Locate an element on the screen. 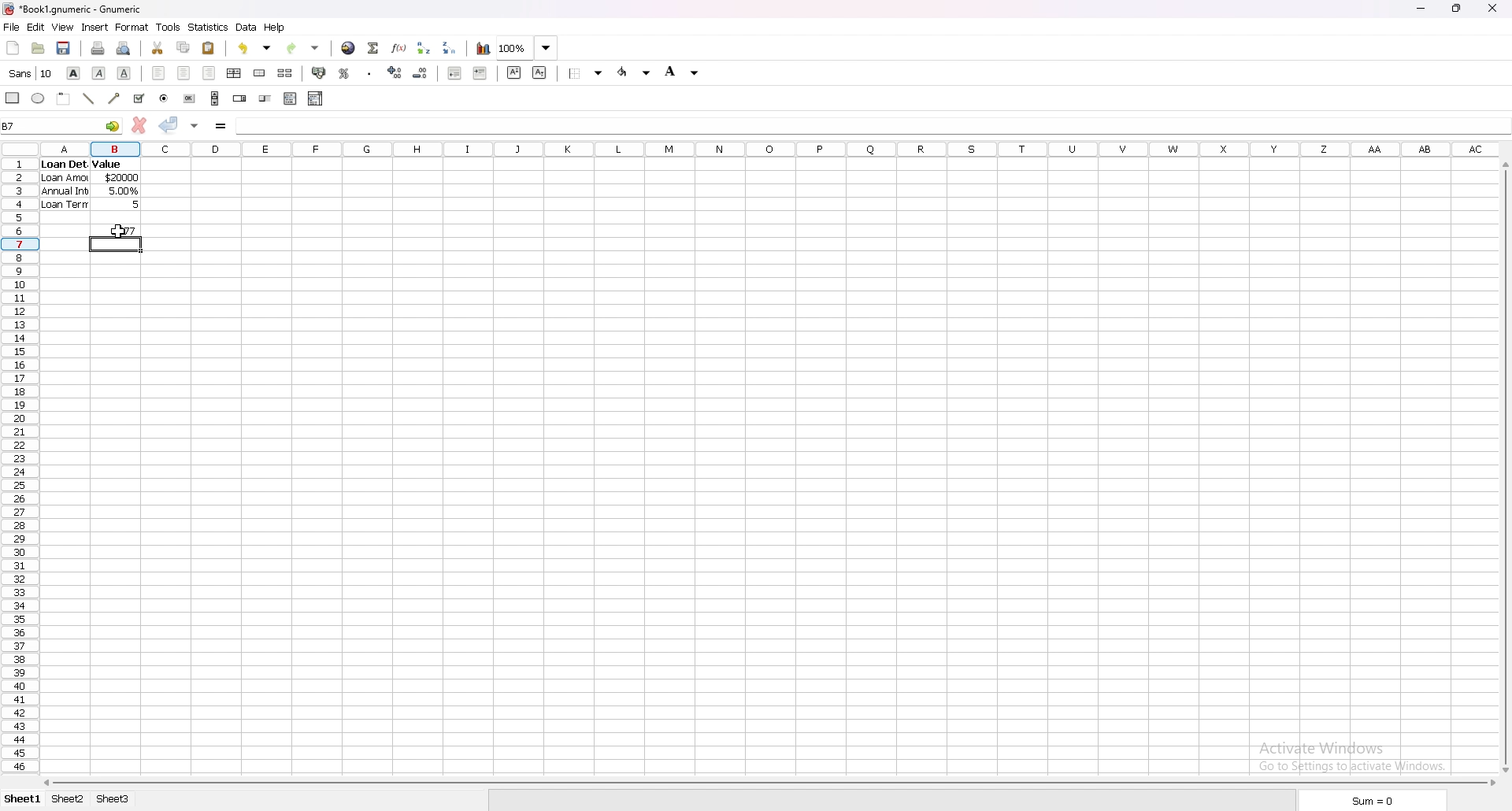 The image size is (1512, 811). print is located at coordinates (99, 47).